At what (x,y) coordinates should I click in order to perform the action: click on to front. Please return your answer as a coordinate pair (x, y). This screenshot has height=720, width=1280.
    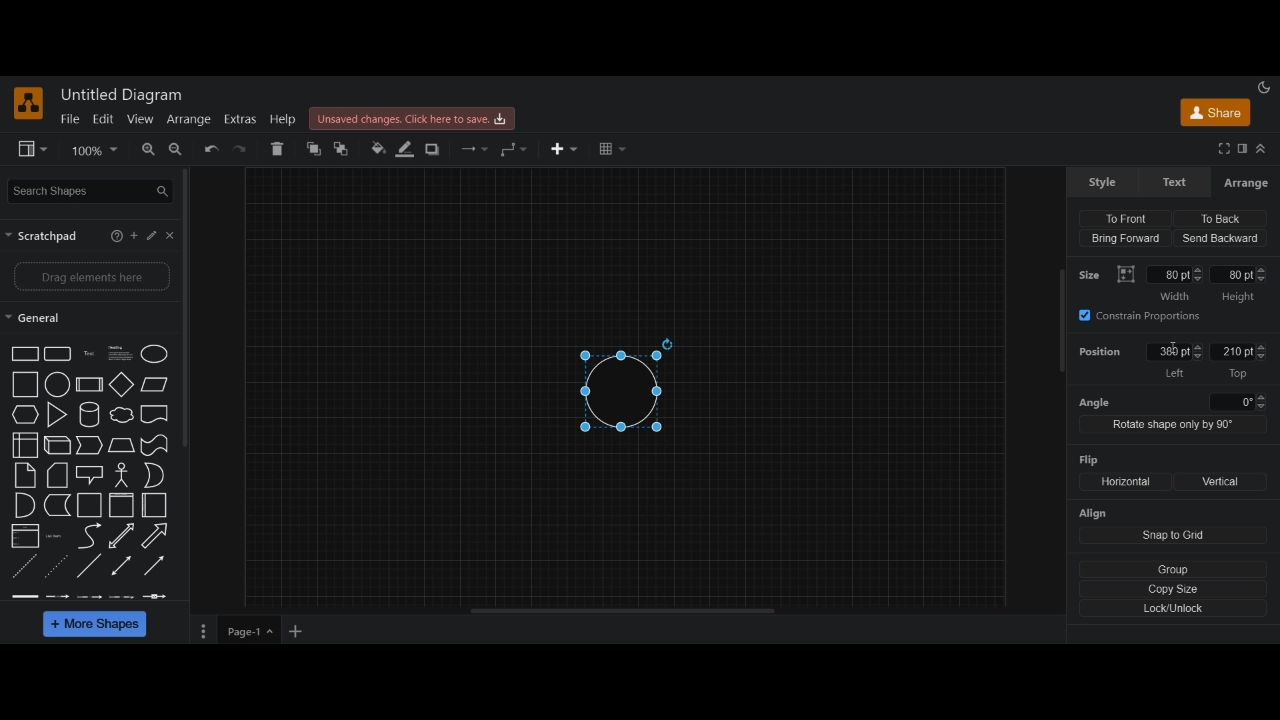
    Looking at the image, I should click on (1130, 215).